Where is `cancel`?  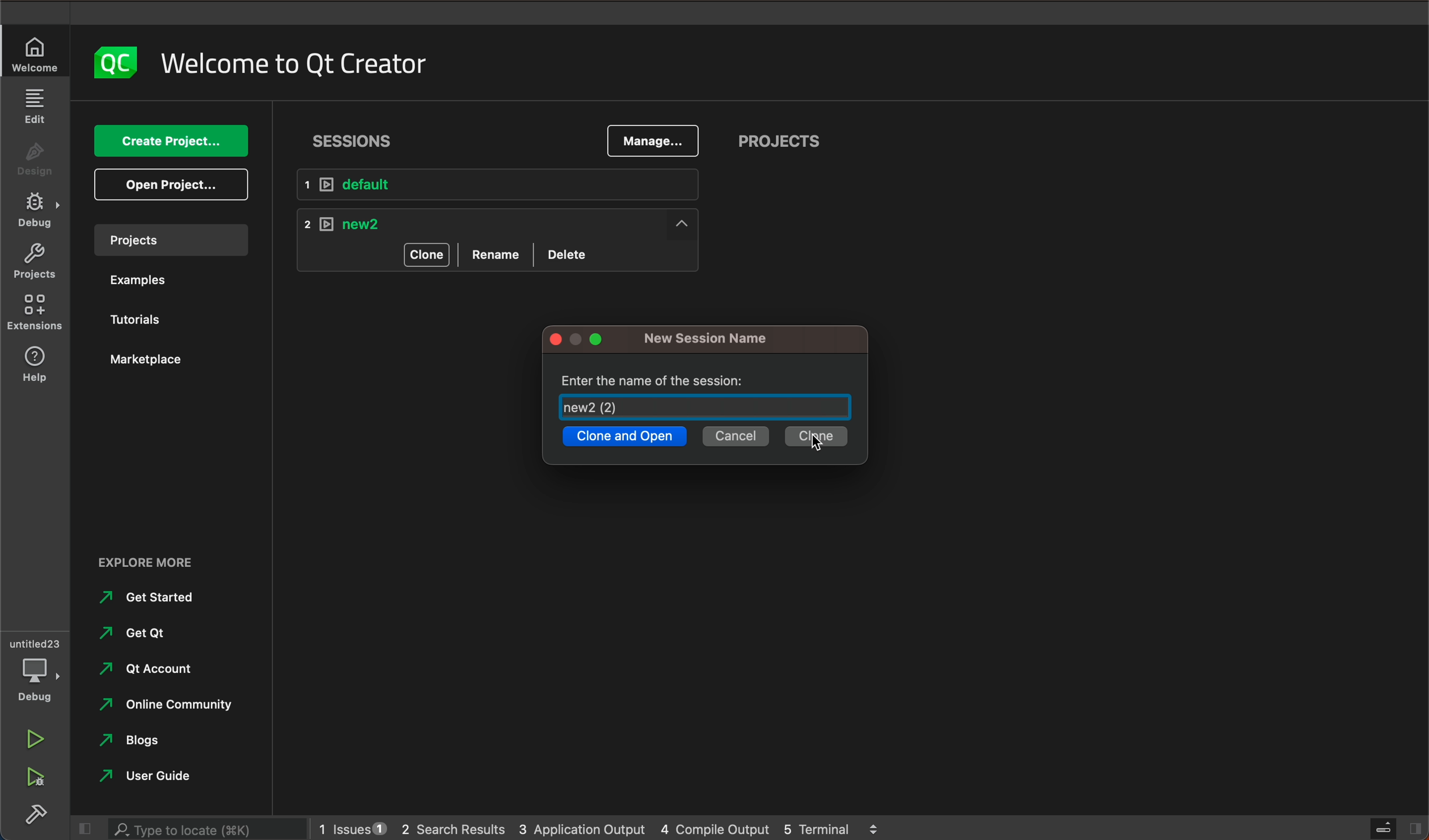
cancel is located at coordinates (736, 437).